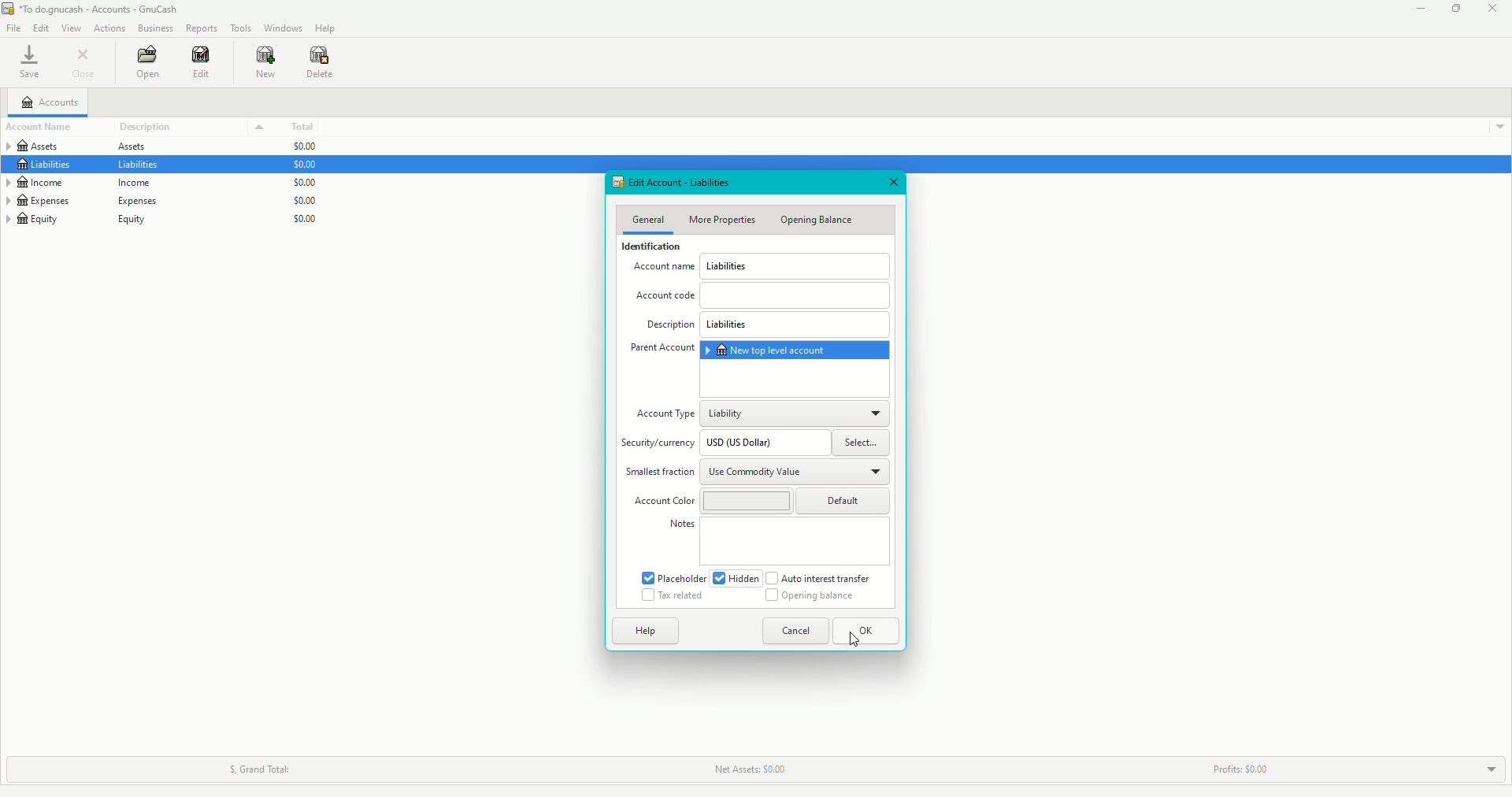 The width and height of the screenshot is (1512, 797). What do you see at coordinates (154, 28) in the screenshot?
I see `Business` at bounding box center [154, 28].